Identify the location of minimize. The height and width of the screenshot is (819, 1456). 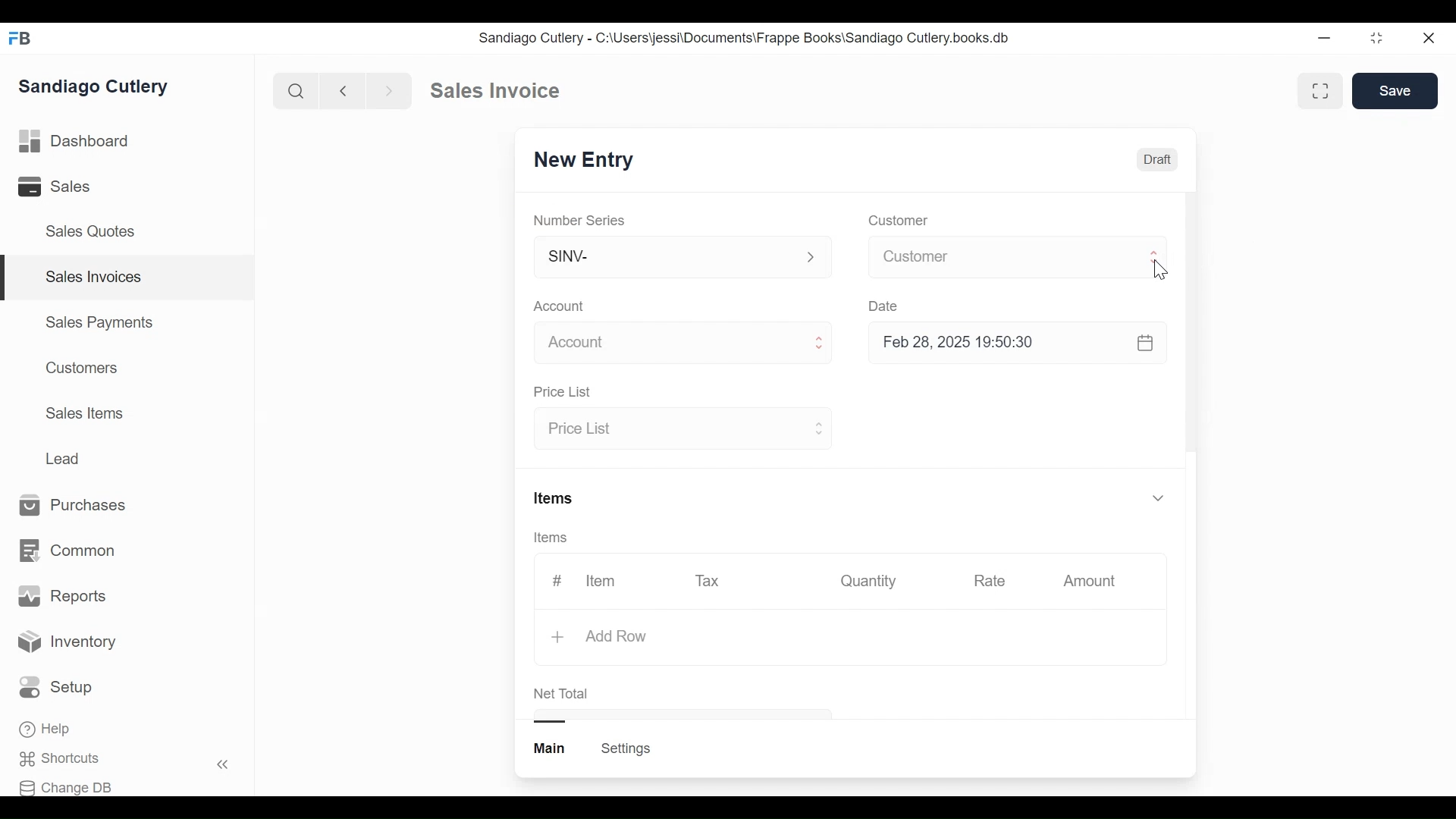
(1324, 37).